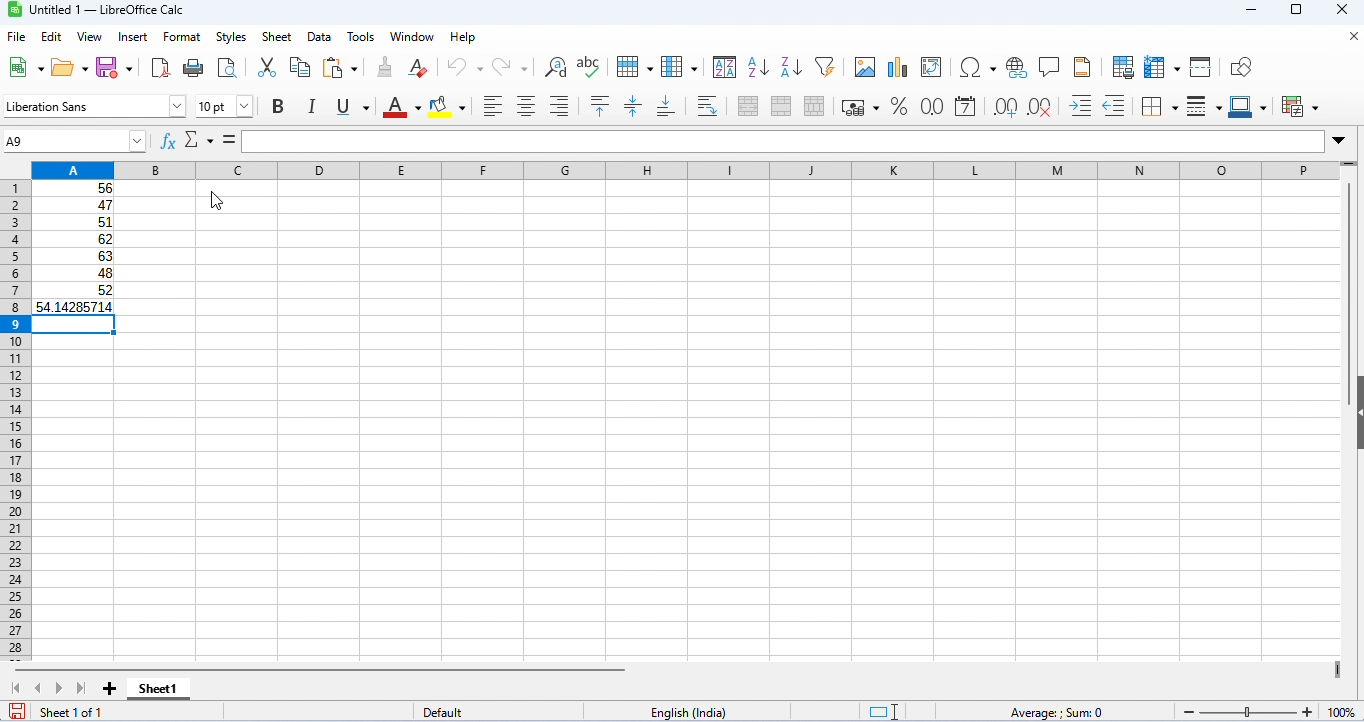 The height and width of the screenshot is (722, 1364). I want to click on tools, so click(361, 37).